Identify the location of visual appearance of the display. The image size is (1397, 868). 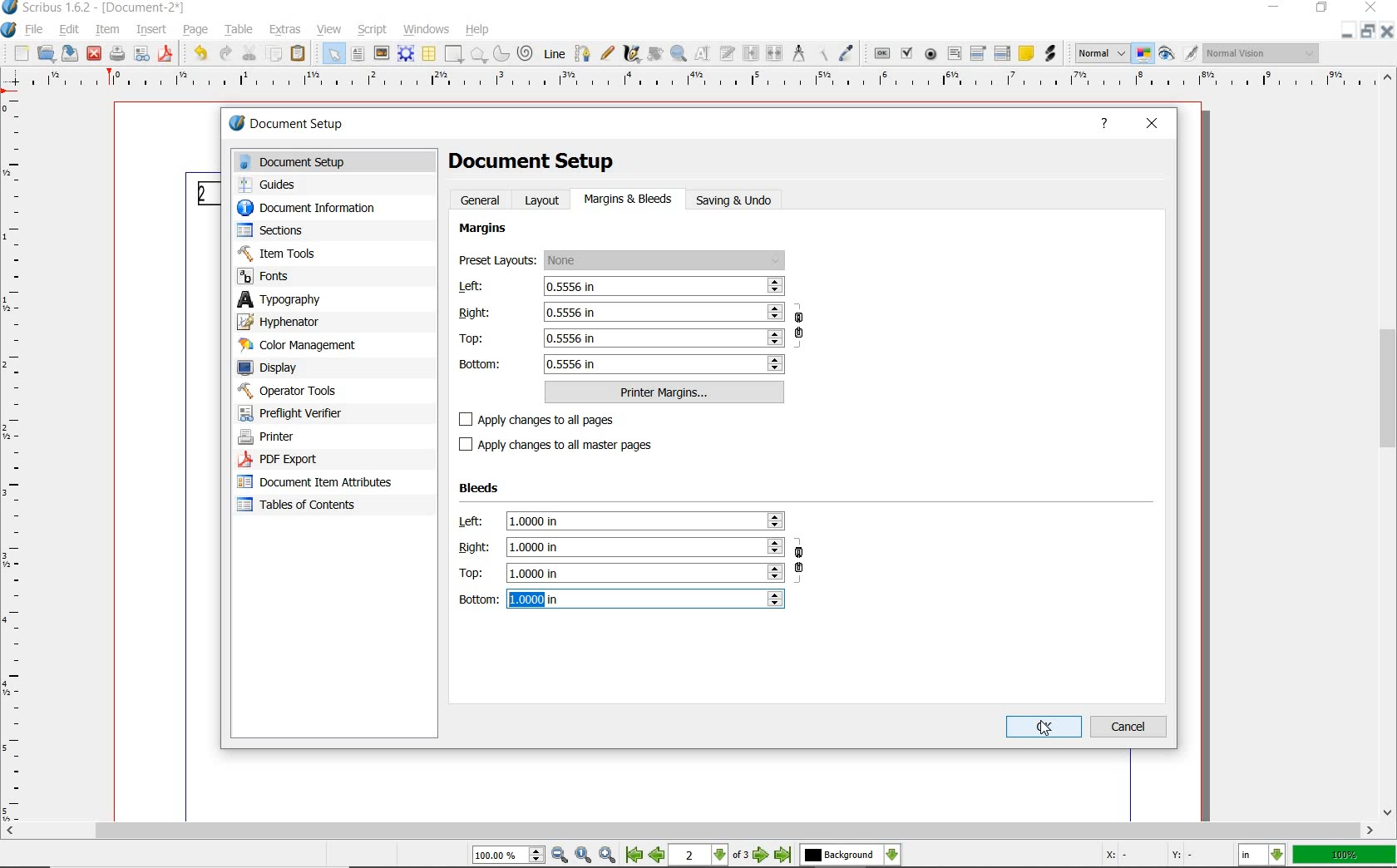
(1263, 53).